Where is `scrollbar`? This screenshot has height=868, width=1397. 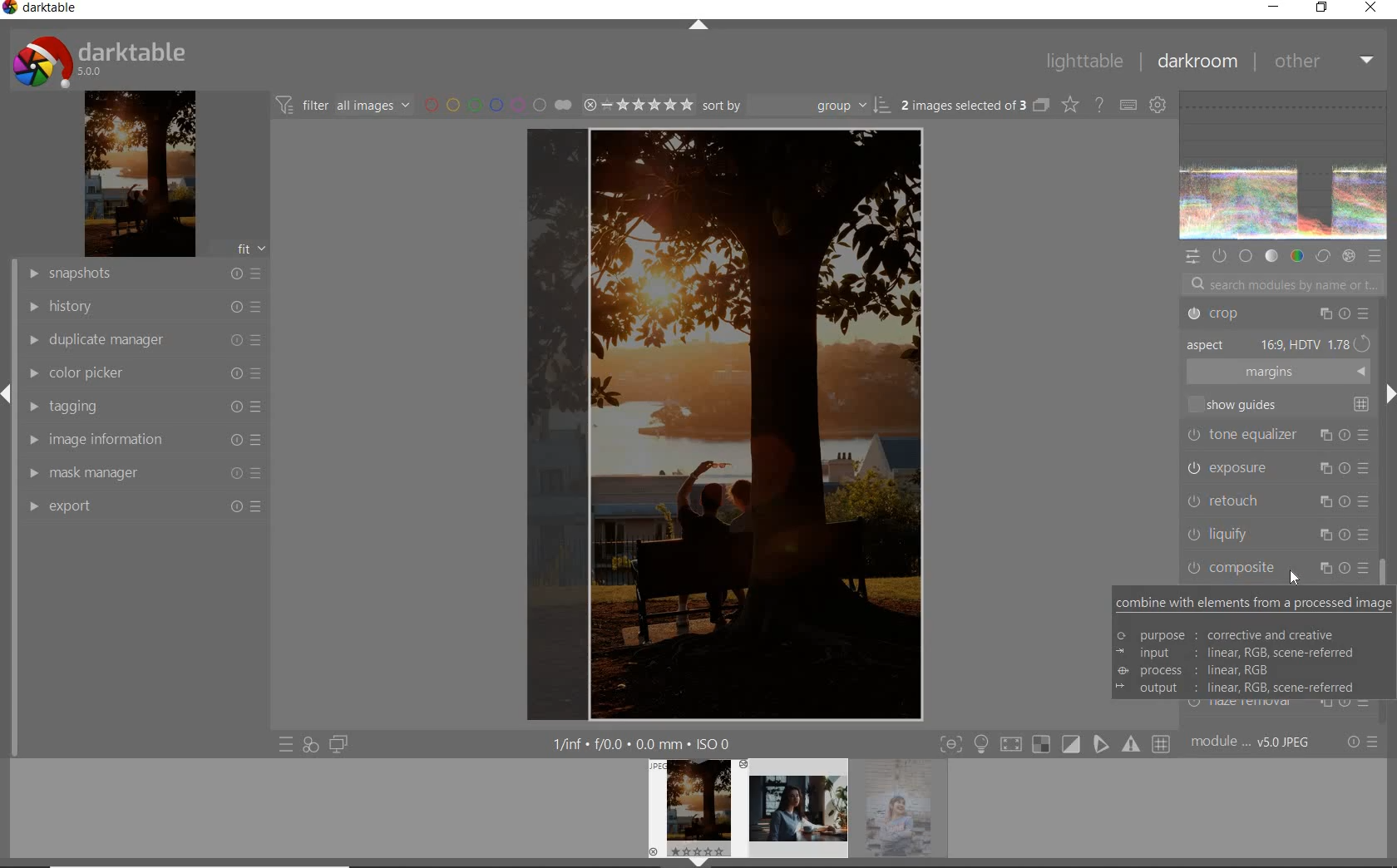
scrollbar is located at coordinates (1385, 599).